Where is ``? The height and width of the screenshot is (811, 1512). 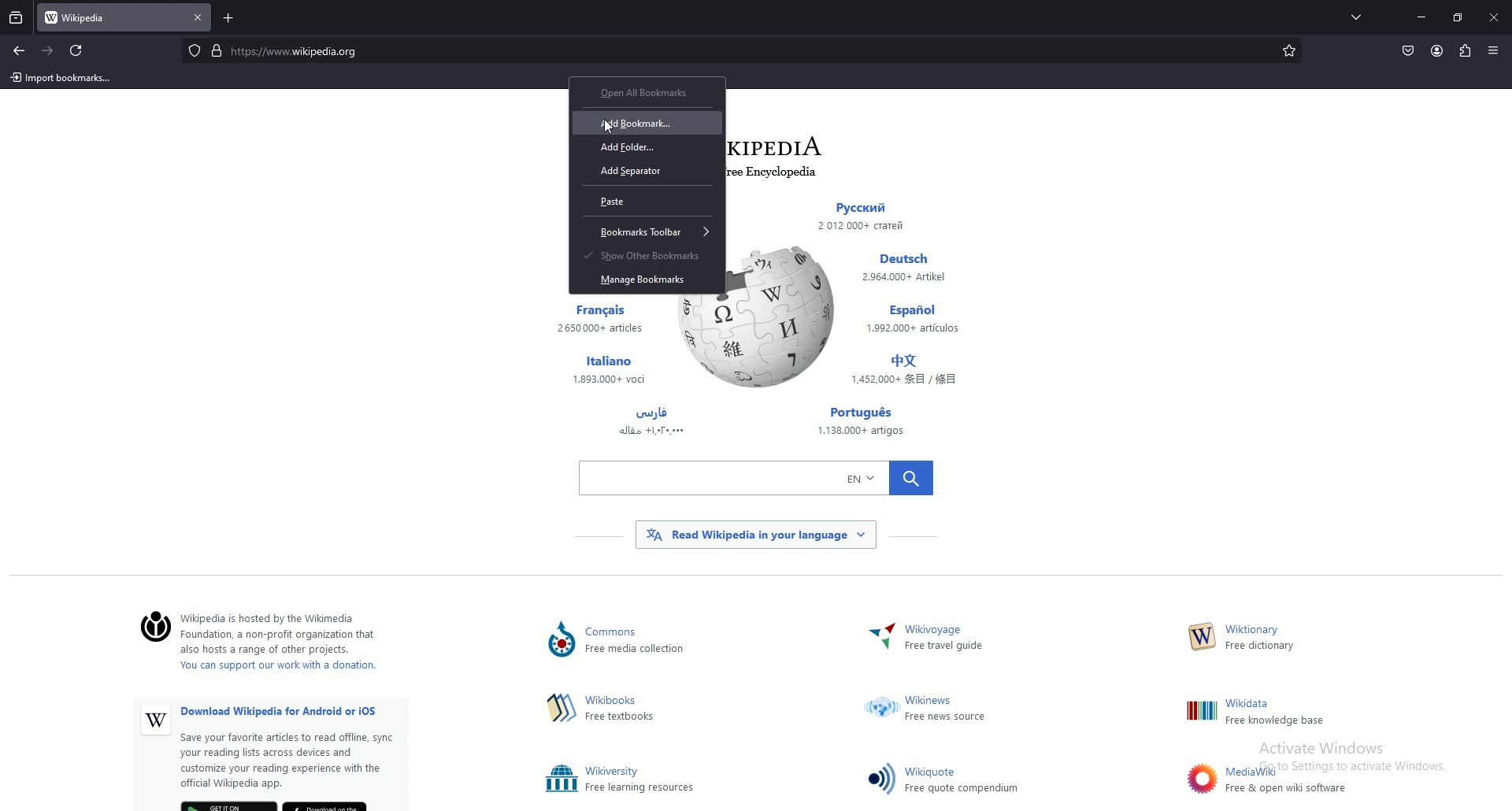
 is located at coordinates (1289, 713).